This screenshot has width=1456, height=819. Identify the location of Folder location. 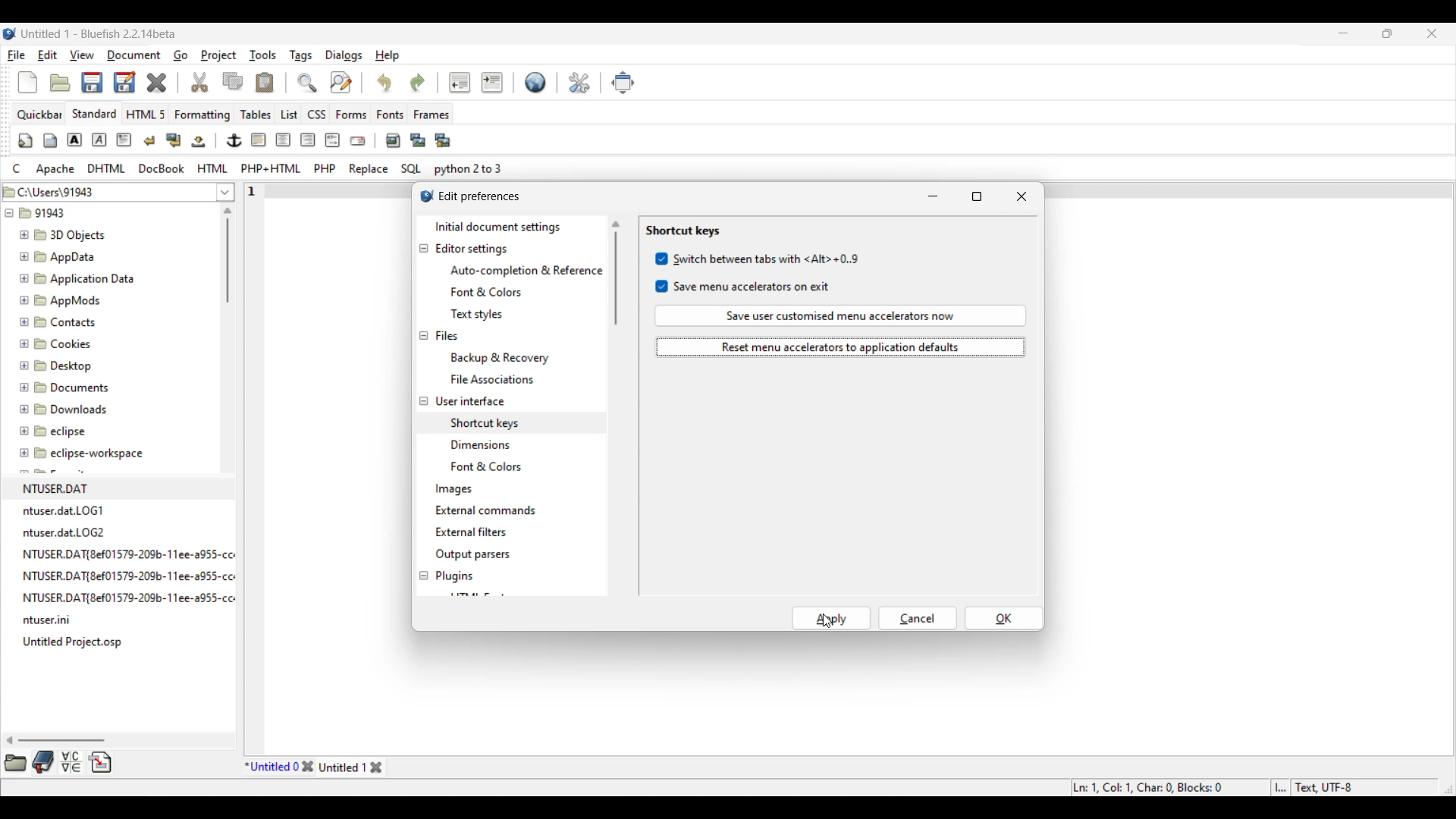
(107, 189).